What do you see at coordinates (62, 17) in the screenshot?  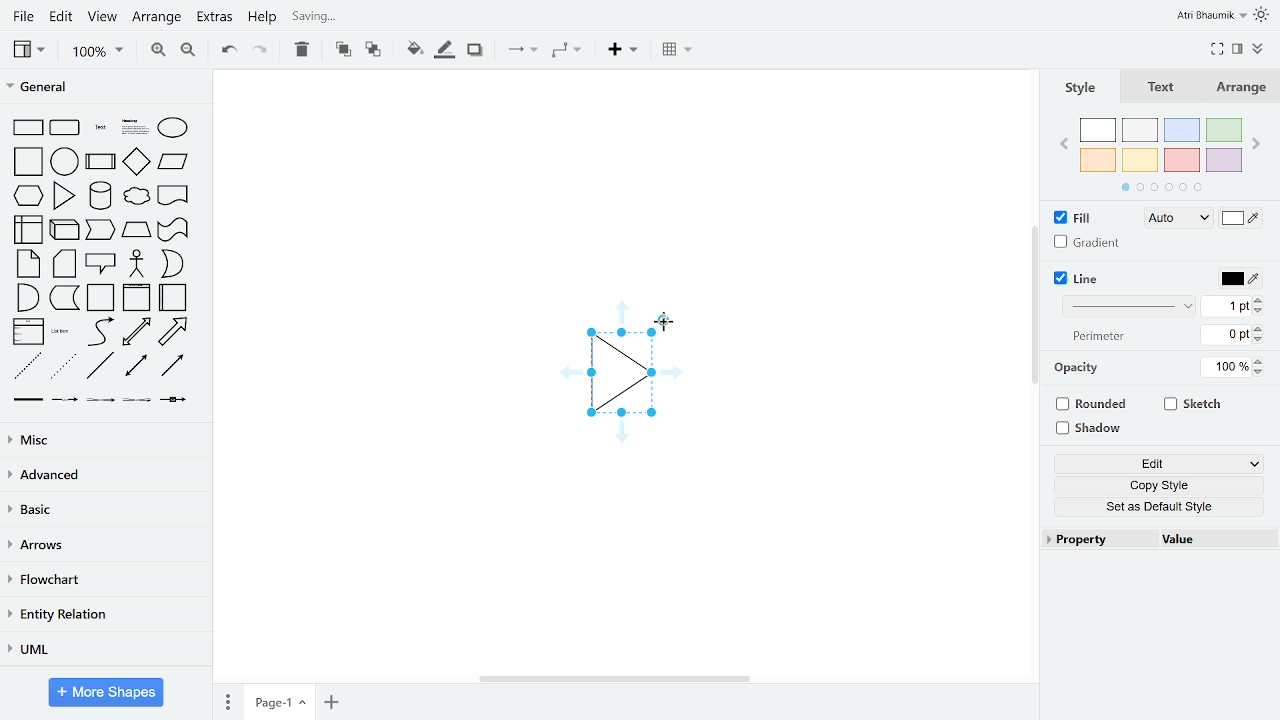 I see `edit` at bounding box center [62, 17].